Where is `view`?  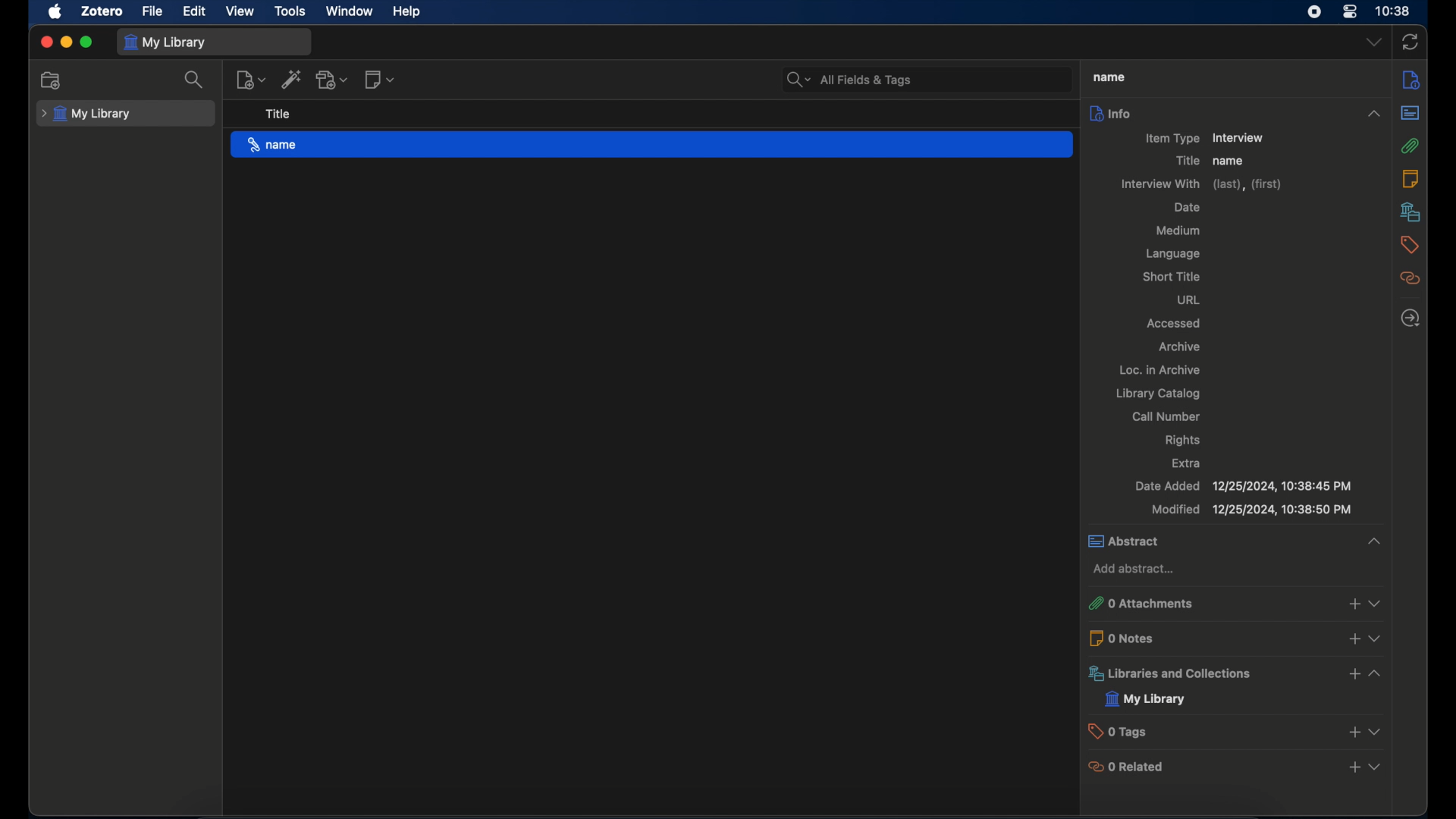
view is located at coordinates (1375, 767).